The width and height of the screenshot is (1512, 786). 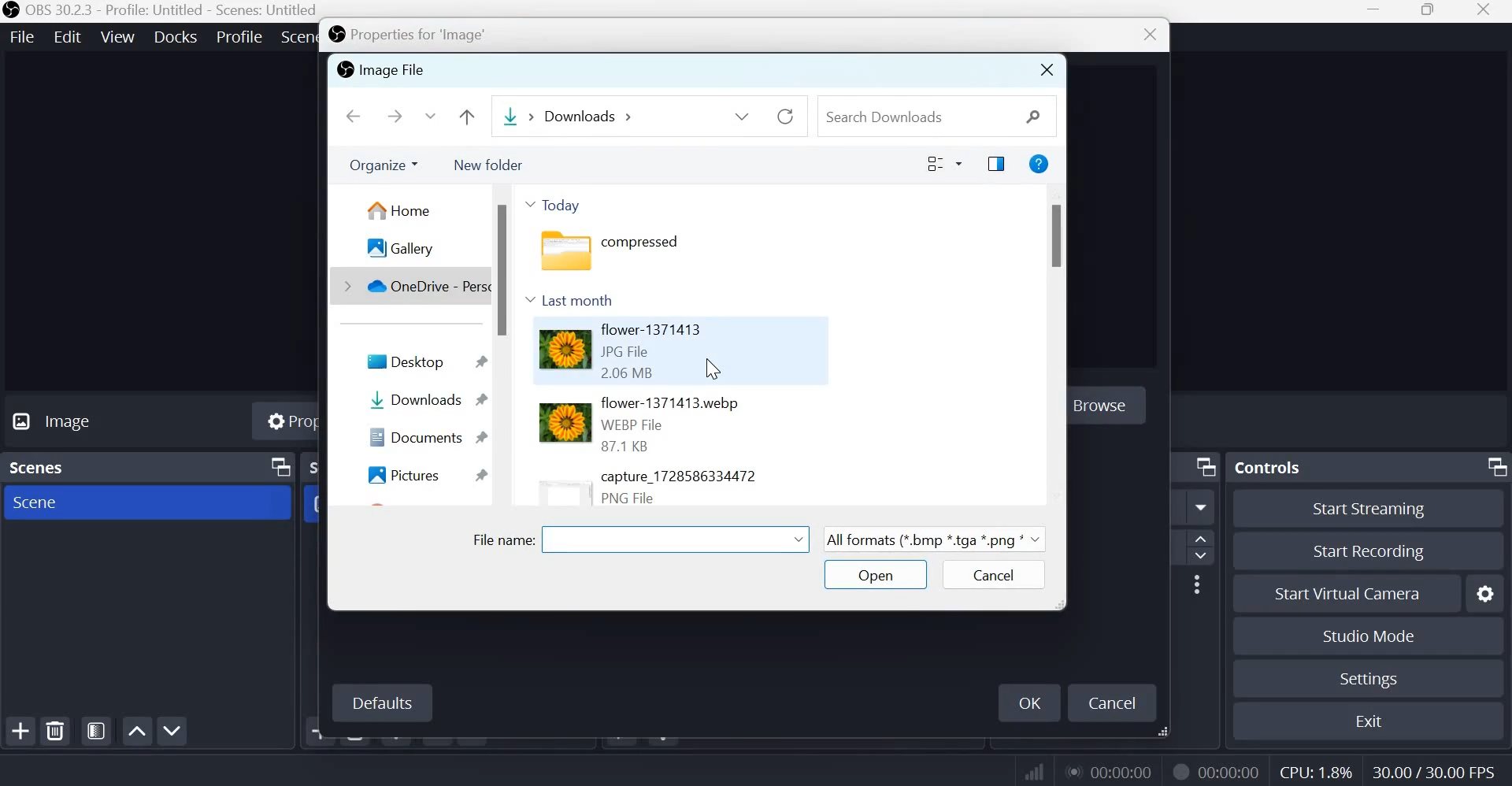 What do you see at coordinates (96, 731) in the screenshot?
I see `Open scene filters` at bounding box center [96, 731].